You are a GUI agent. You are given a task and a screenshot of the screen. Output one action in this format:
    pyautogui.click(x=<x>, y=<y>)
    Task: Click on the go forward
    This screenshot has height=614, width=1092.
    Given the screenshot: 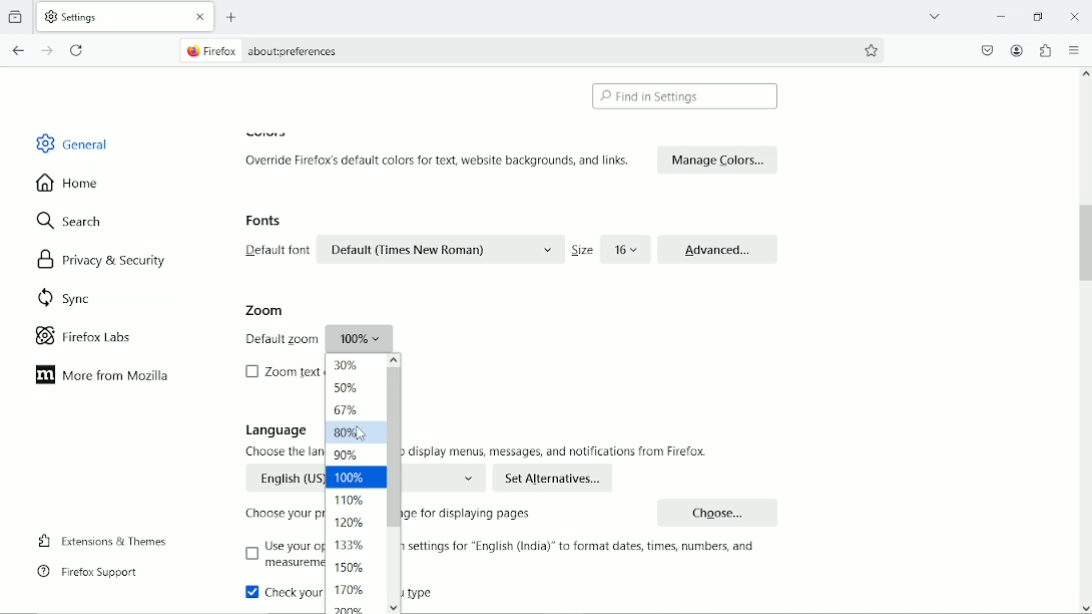 What is the action you would take?
    pyautogui.click(x=47, y=51)
    